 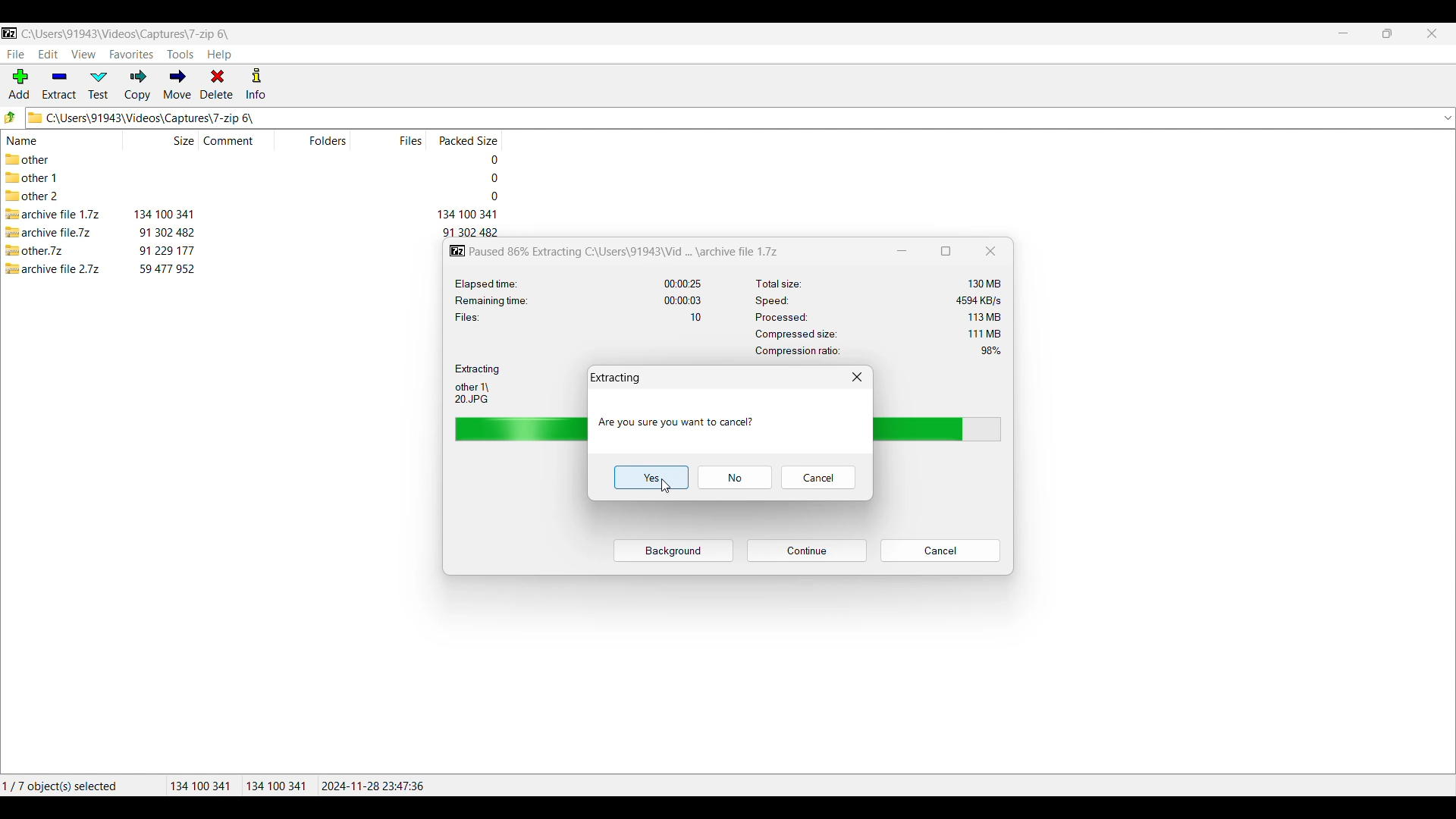 I want to click on C\Users\91943\Videos\Captures\7-zip 6\, so click(x=162, y=118).